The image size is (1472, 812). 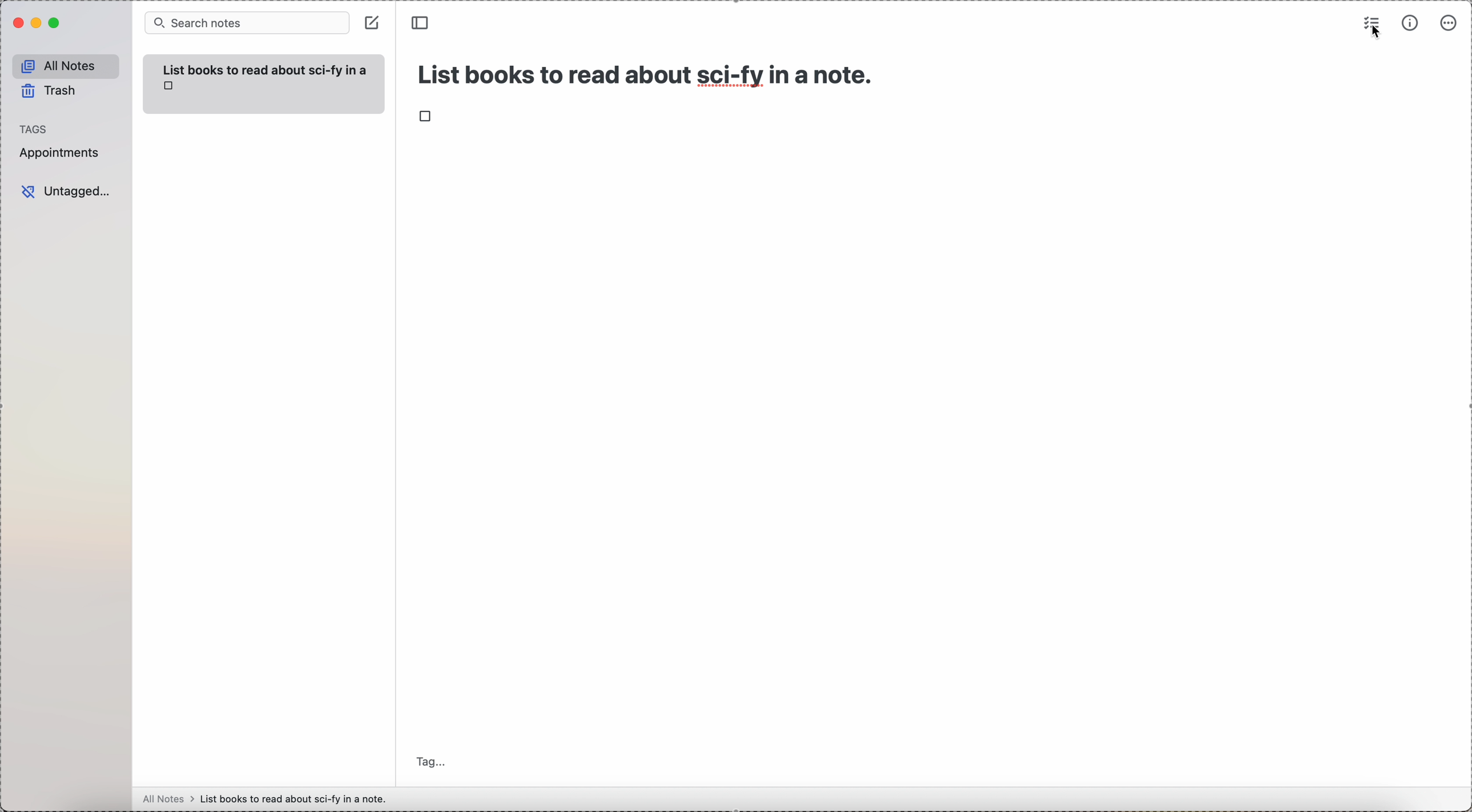 What do you see at coordinates (374, 21) in the screenshot?
I see `create note` at bounding box center [374, 21].